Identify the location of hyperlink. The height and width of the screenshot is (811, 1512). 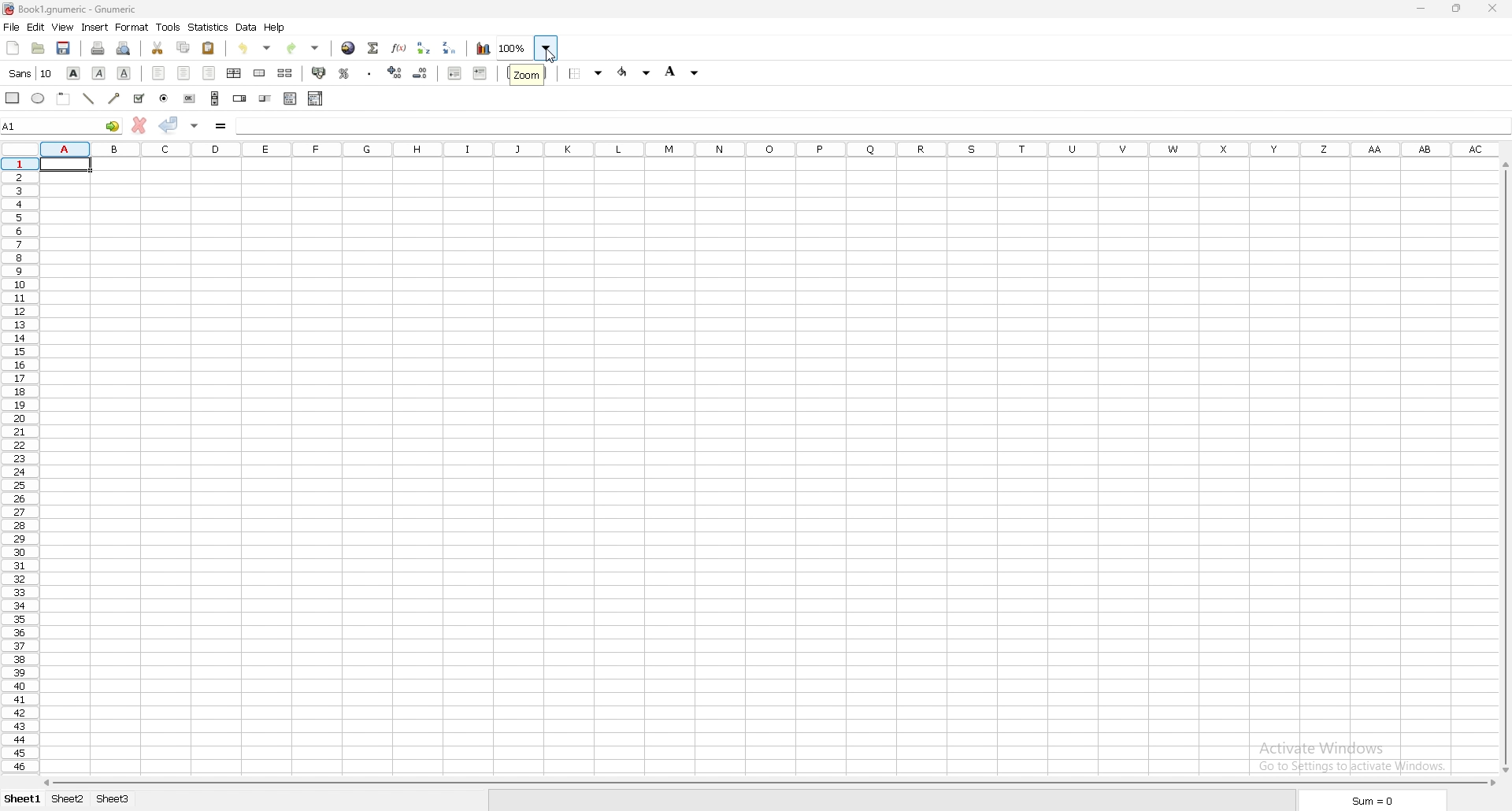
(349, 46).